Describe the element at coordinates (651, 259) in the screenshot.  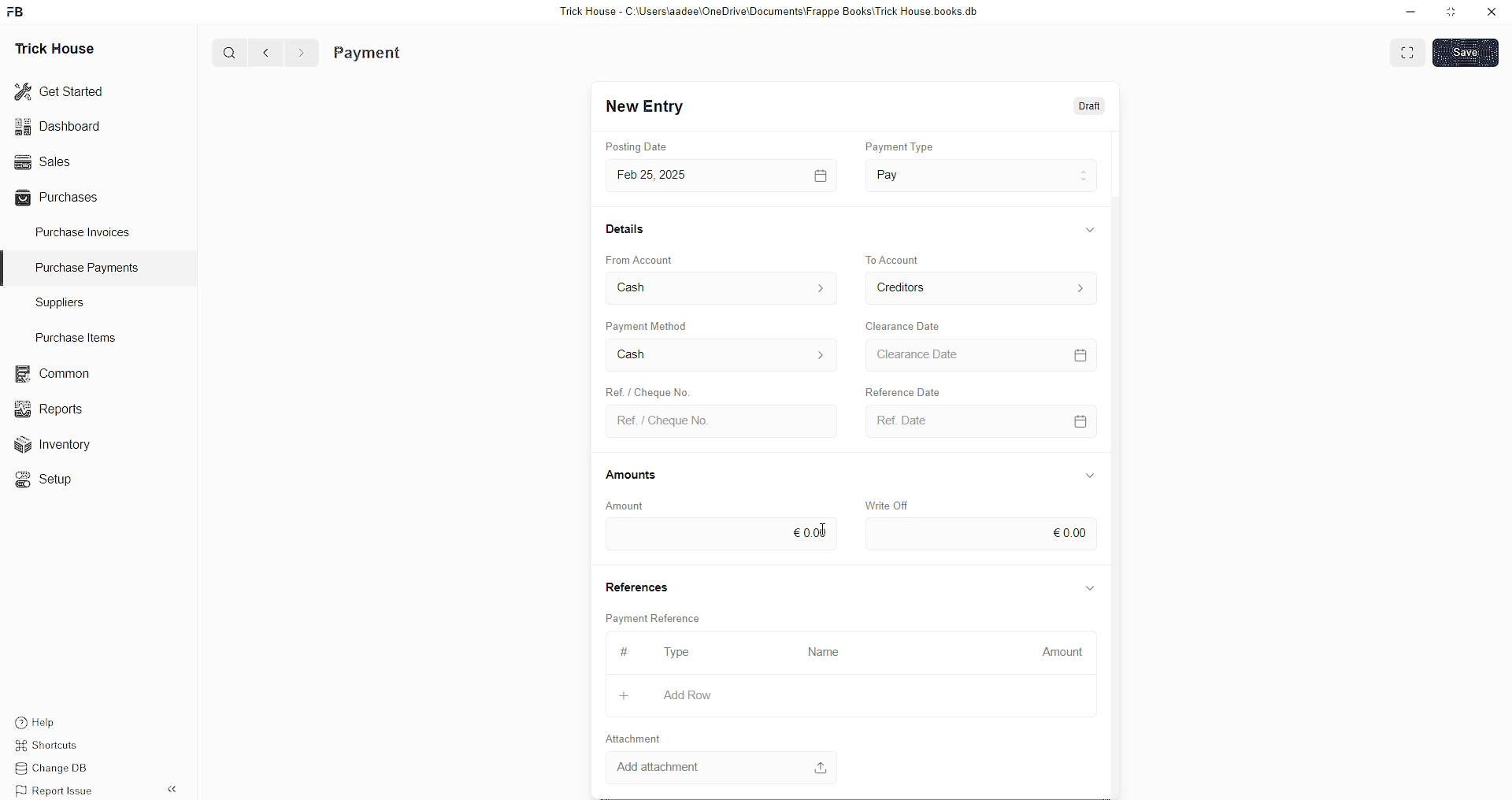
I see `From Account` at that location.